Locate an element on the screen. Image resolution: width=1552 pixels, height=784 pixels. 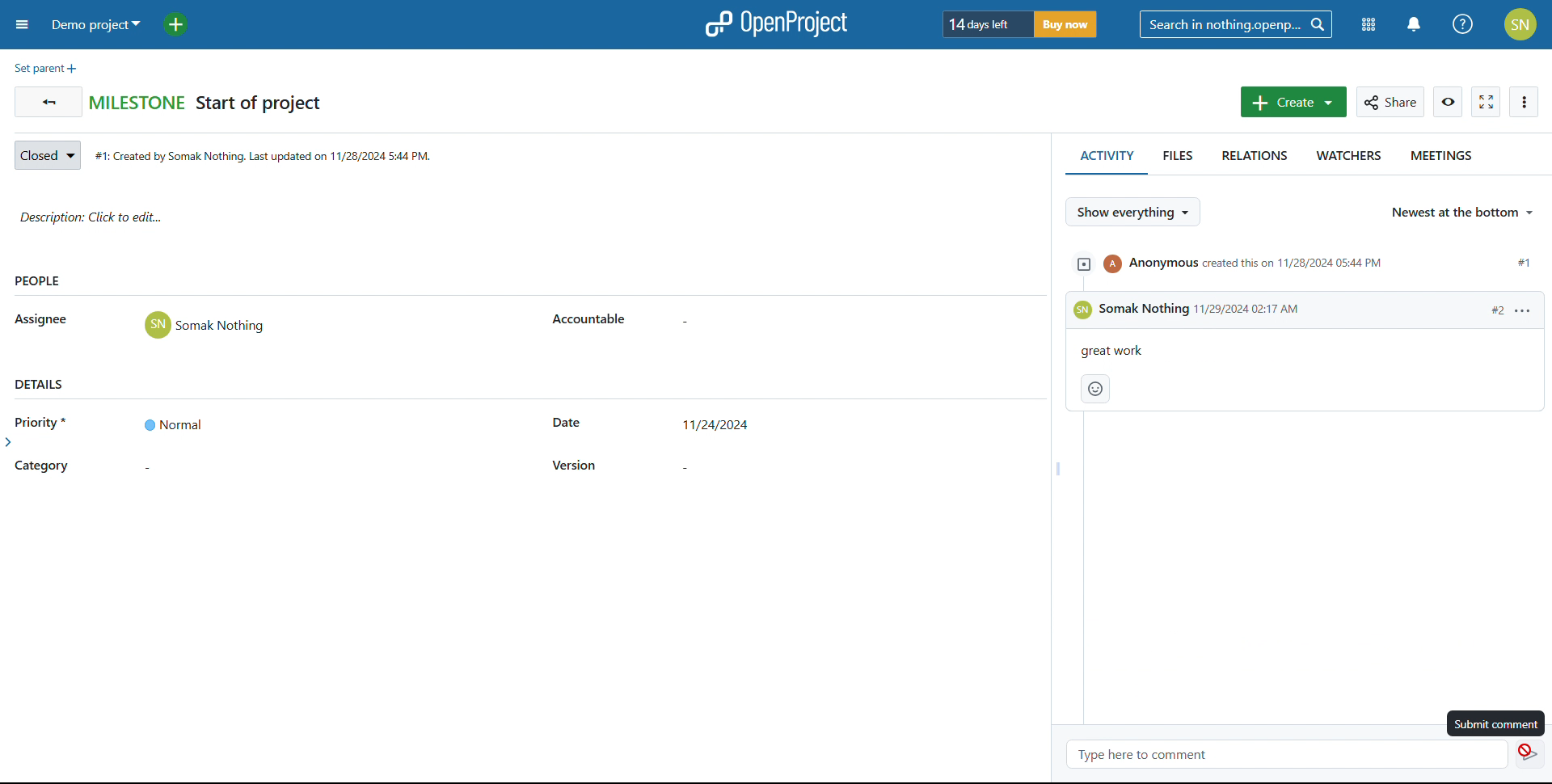
submit comment is located at coordinates (1496, 723).